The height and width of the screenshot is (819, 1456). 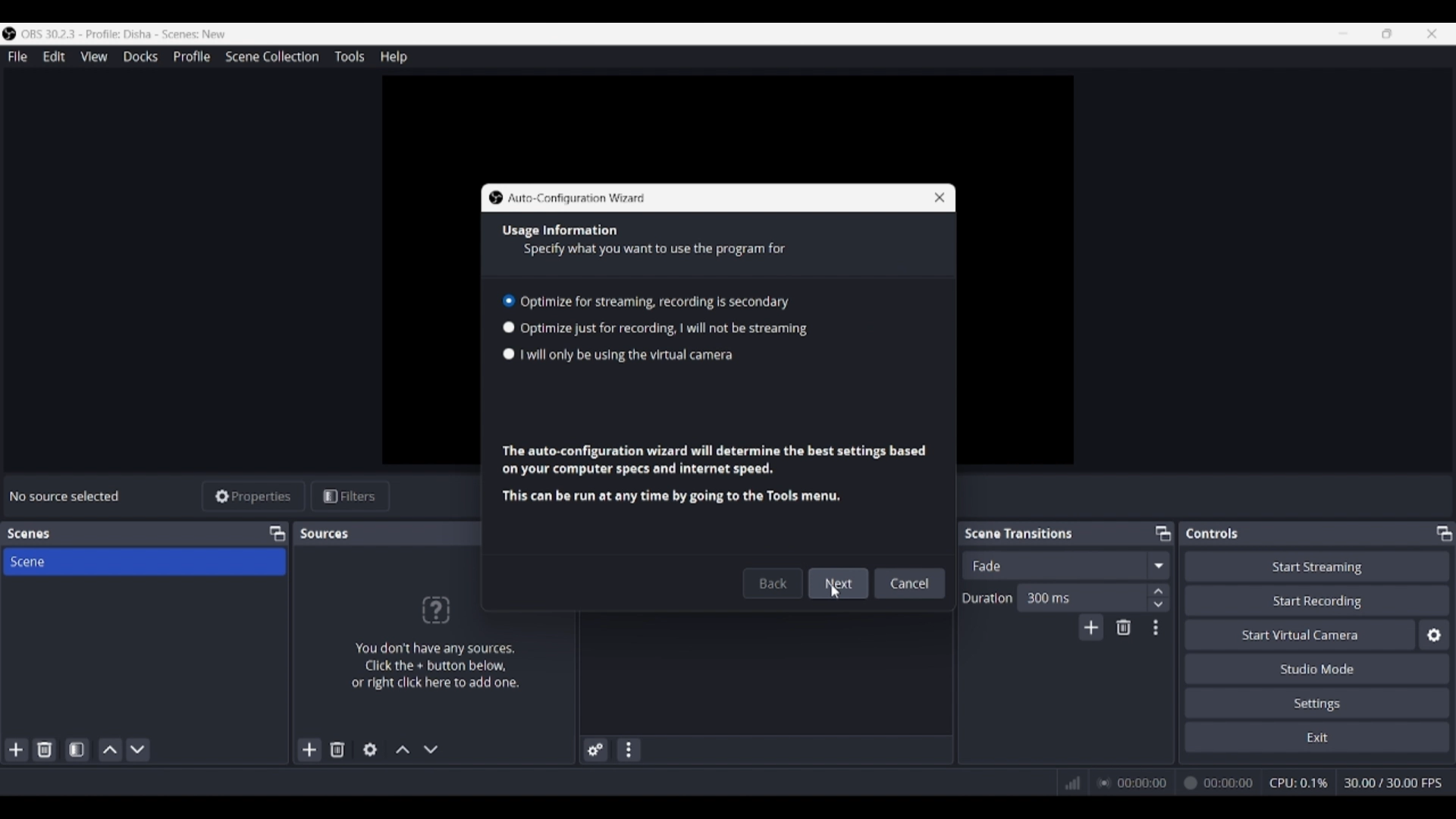 I want to click on Move source up, so click(x=403, y=749).